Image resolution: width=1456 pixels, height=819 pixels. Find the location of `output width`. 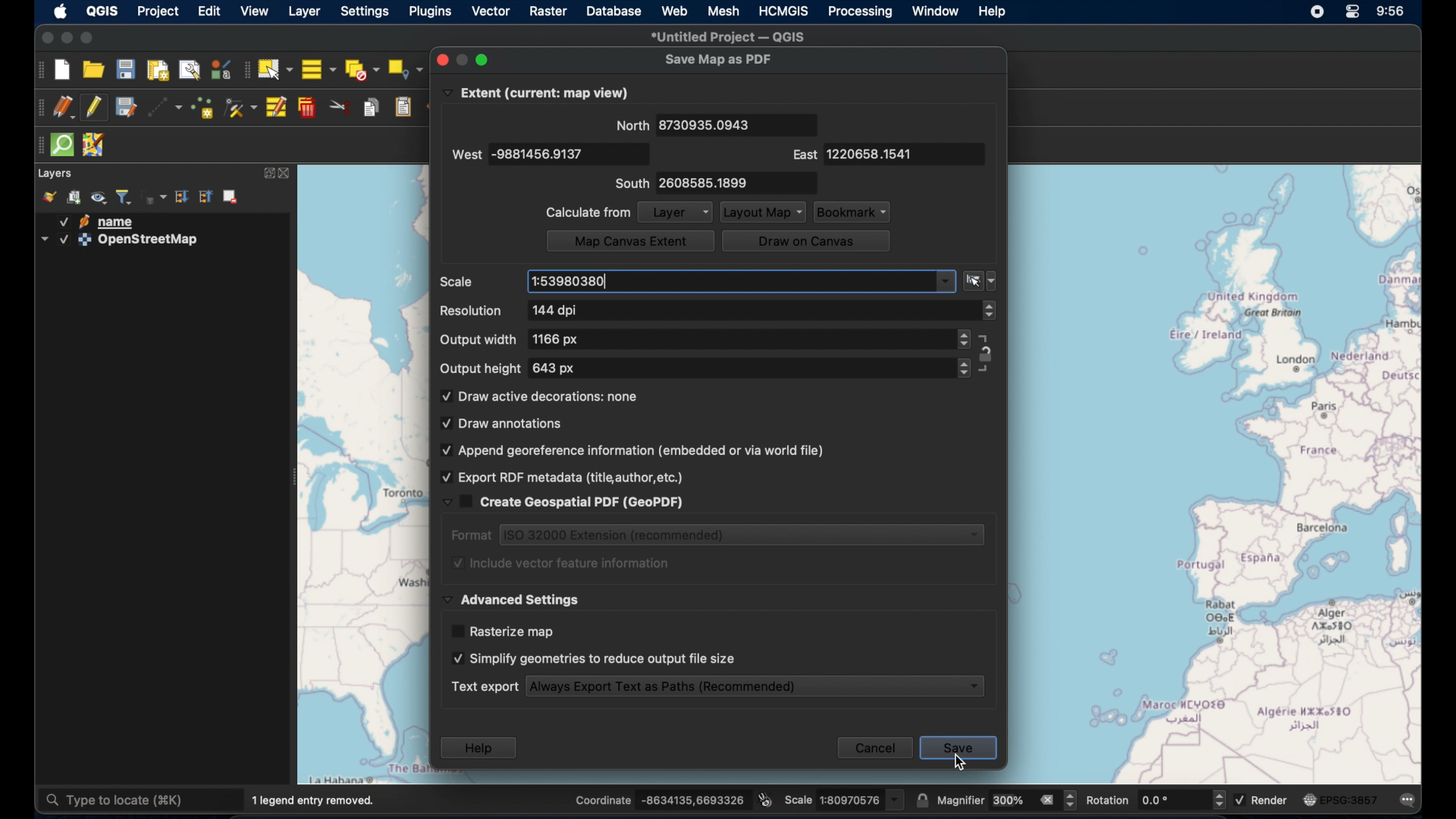

output width is located at coordinates (479, 340).